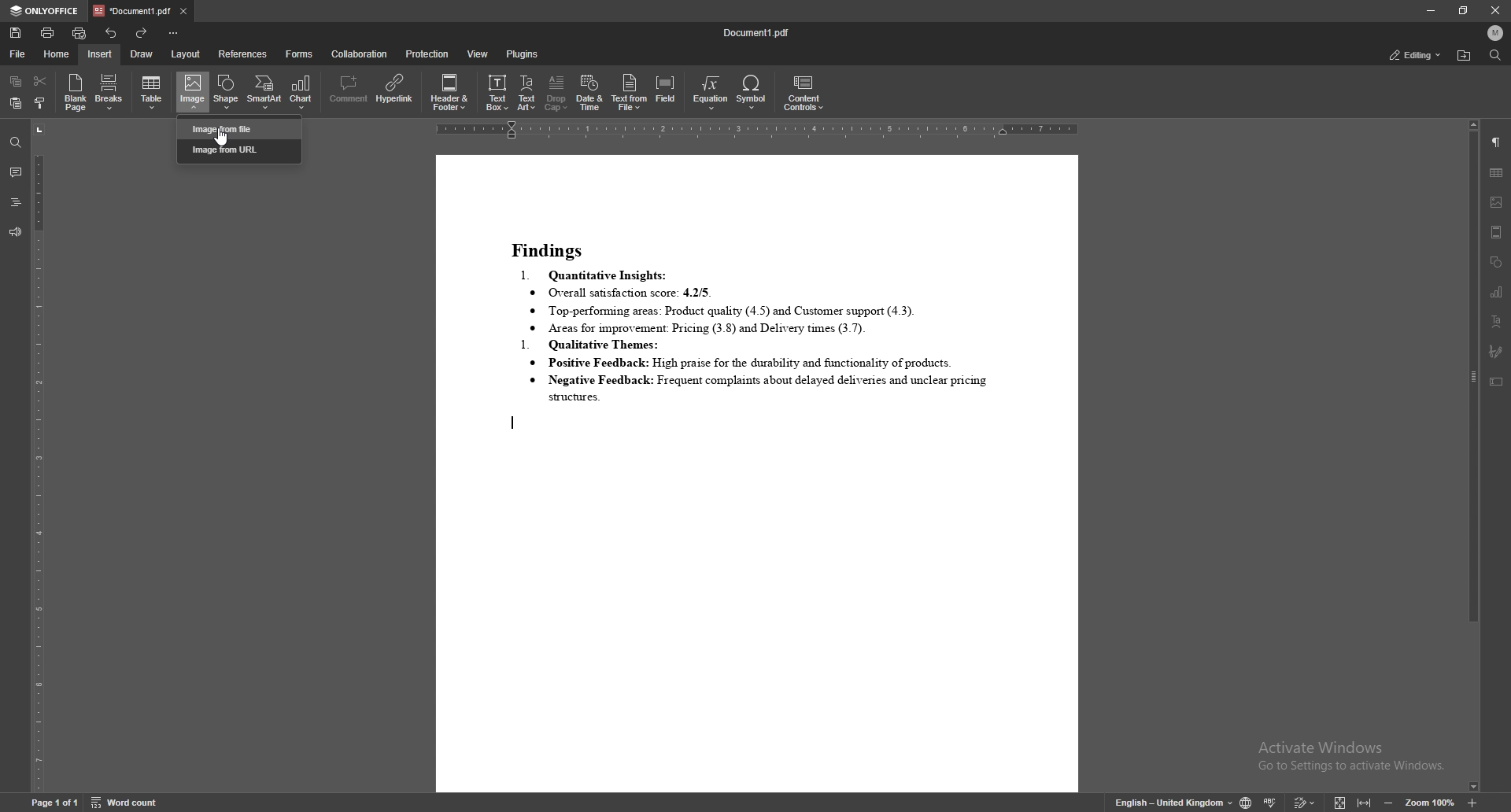 This screenshot has height=812, width=1511. What do you see at coordinates (1472, 456) in the screenshot?
I see `scroll bar` at bounding box center [1472, 456].